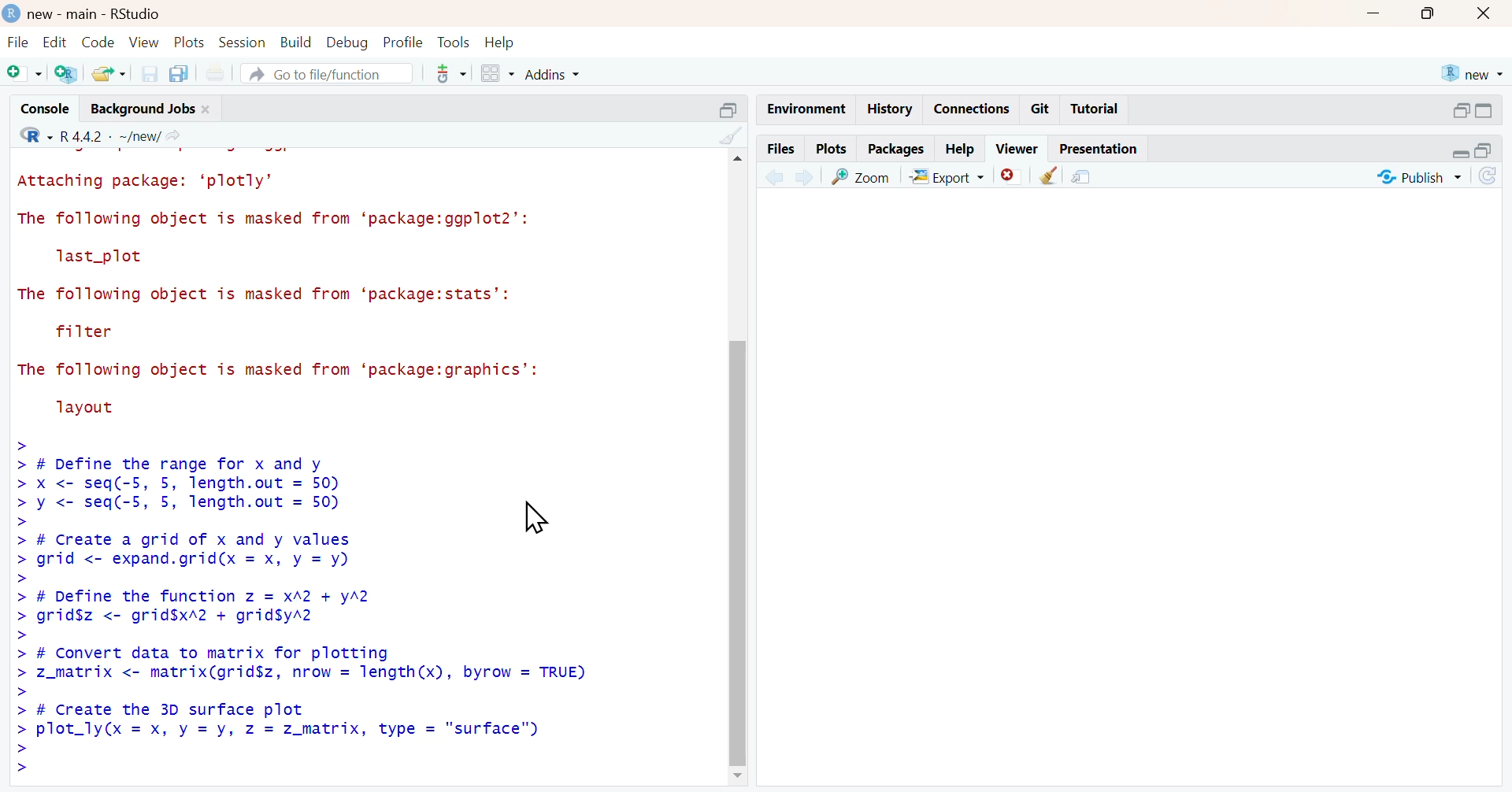 The height and width of the screenshot is (792, 1512). I want to click on prompt cursor, so click(18, 761).